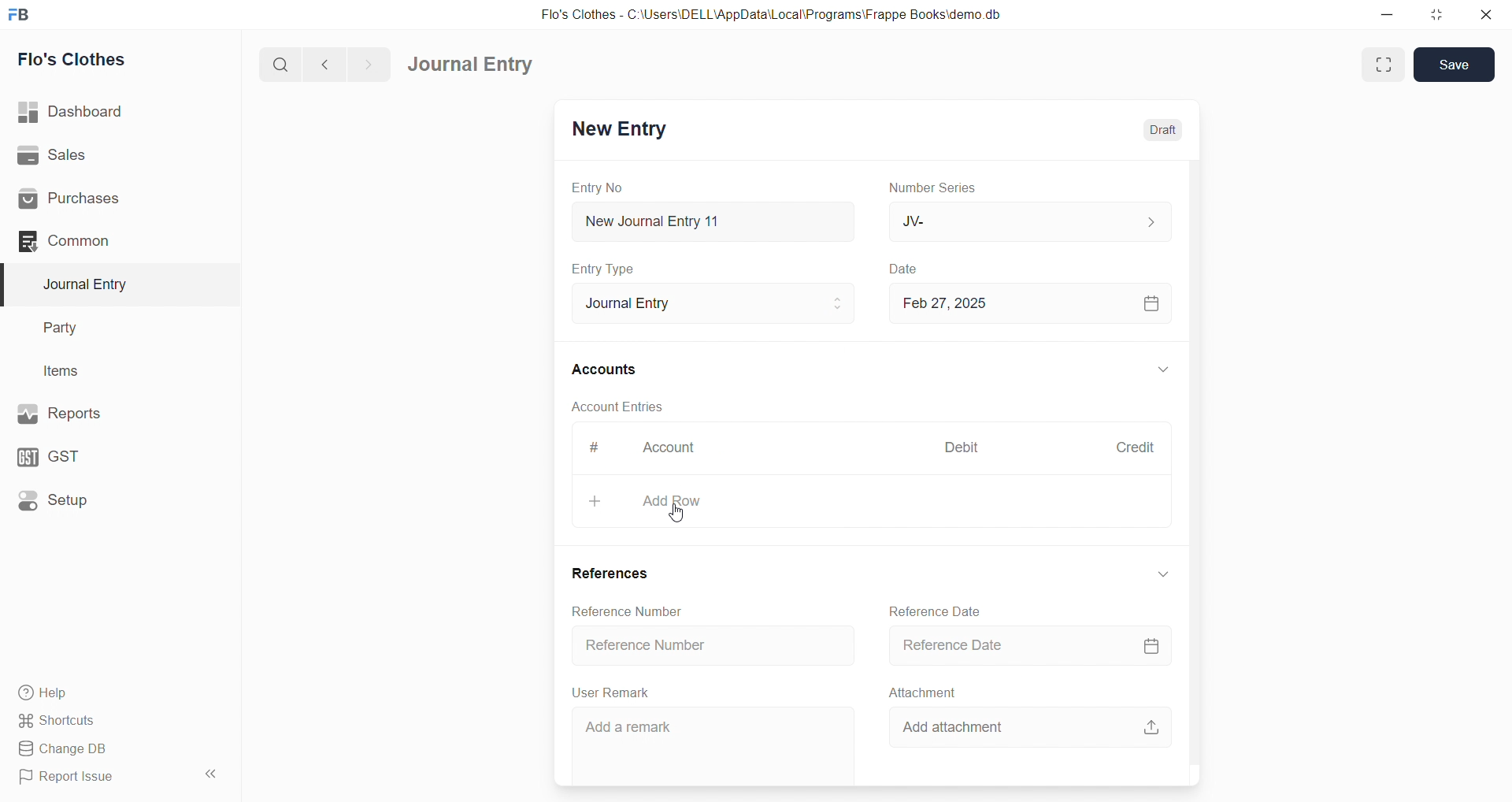 This screenshot has width=1512, height=802. Describe the element at coordinates (86, 457) in the screenshot. I see `GST` at that location.